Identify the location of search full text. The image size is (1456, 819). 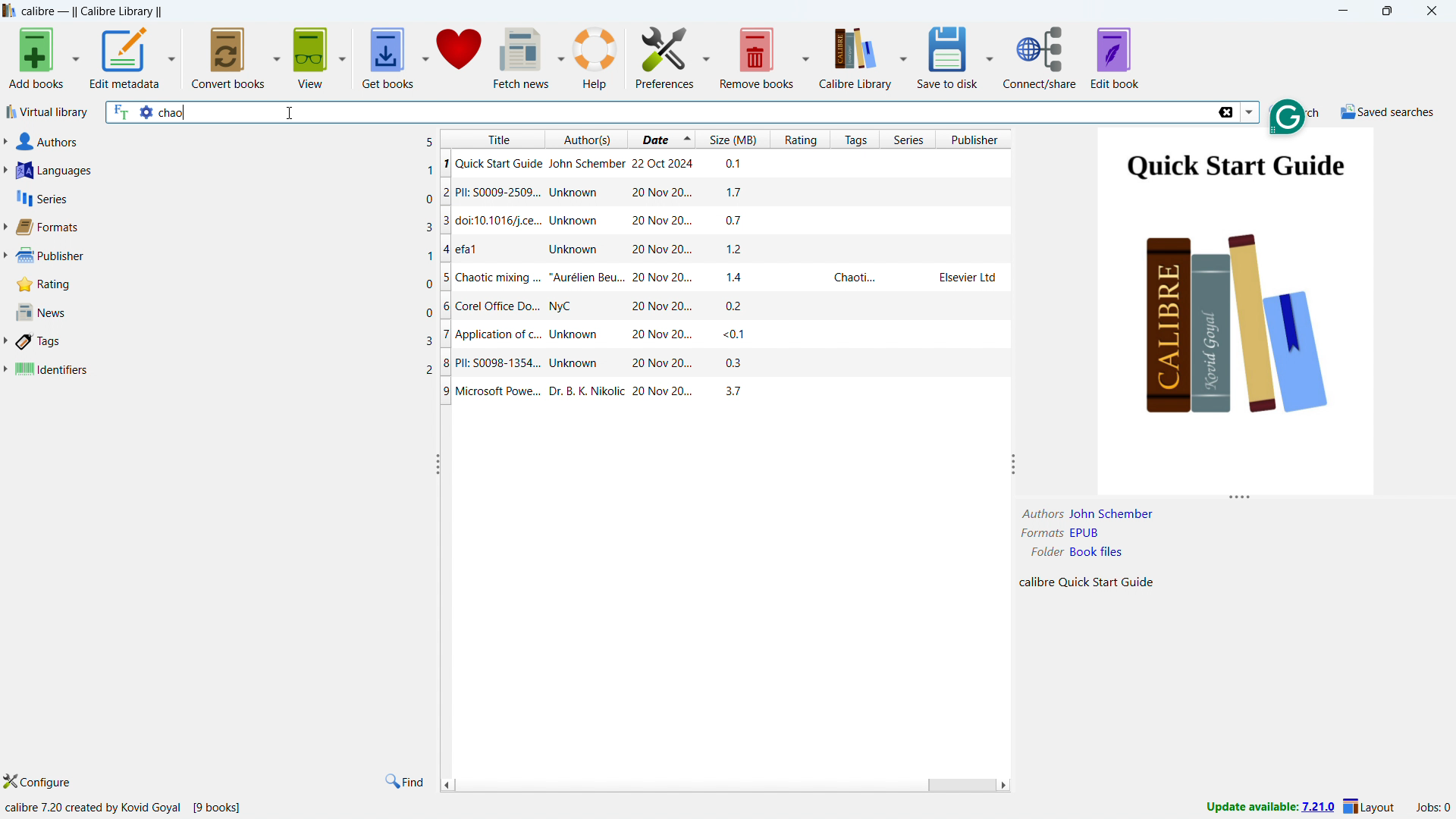
(120, 112).